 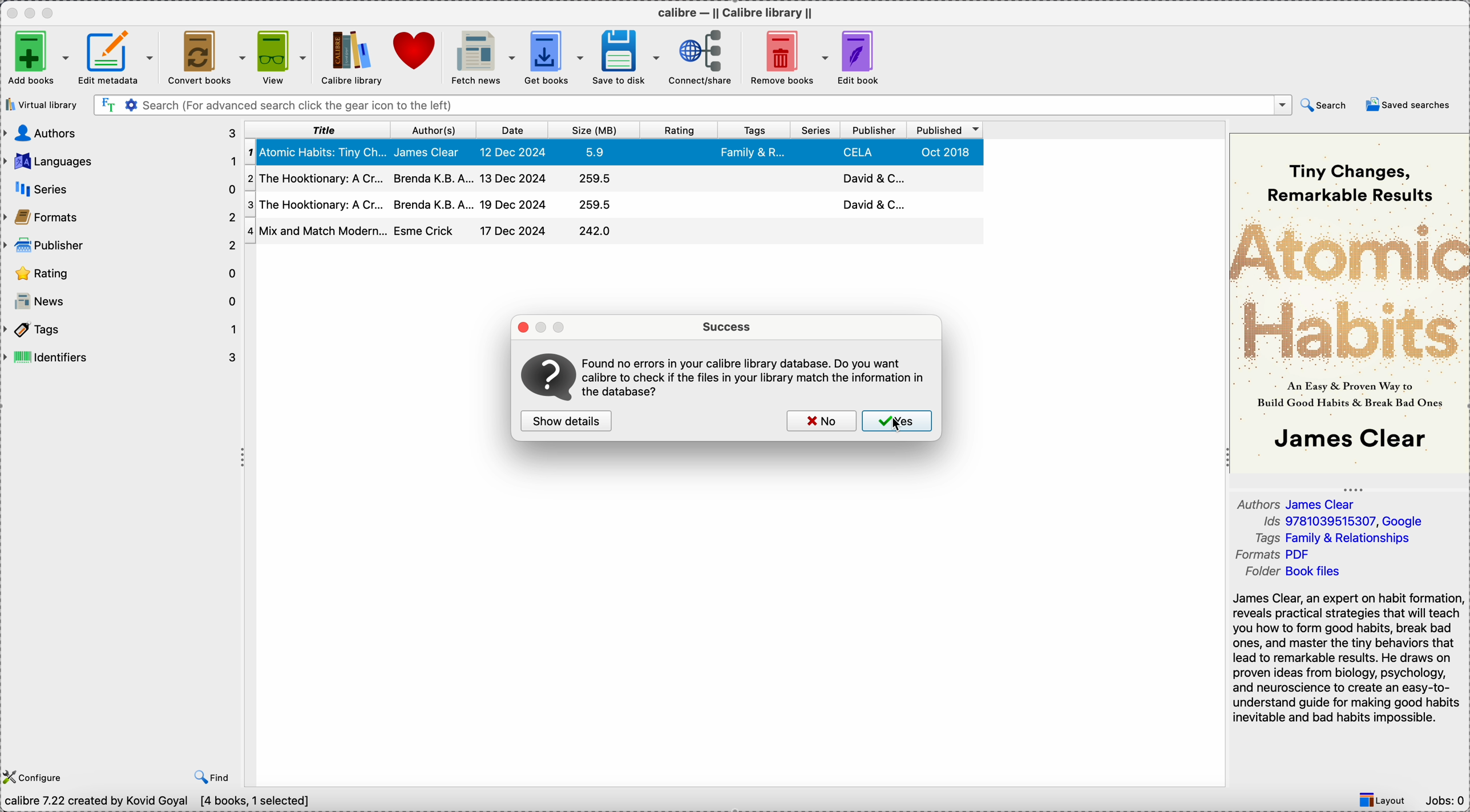 I want to click on layout, so click(x=1386, y=800).